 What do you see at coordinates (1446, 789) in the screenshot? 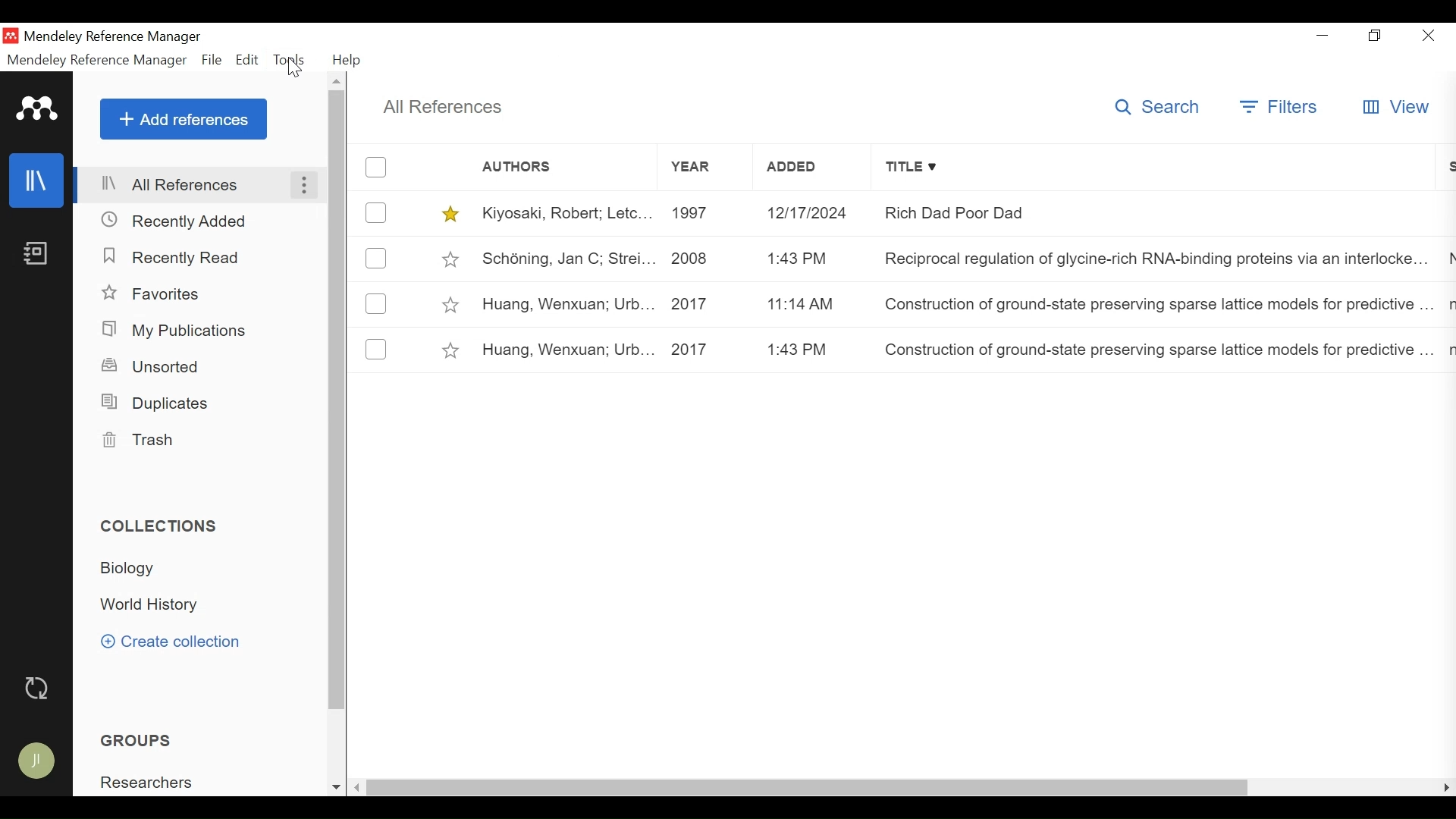
I see `Scroll Right` at bounding box center [1446, 789].